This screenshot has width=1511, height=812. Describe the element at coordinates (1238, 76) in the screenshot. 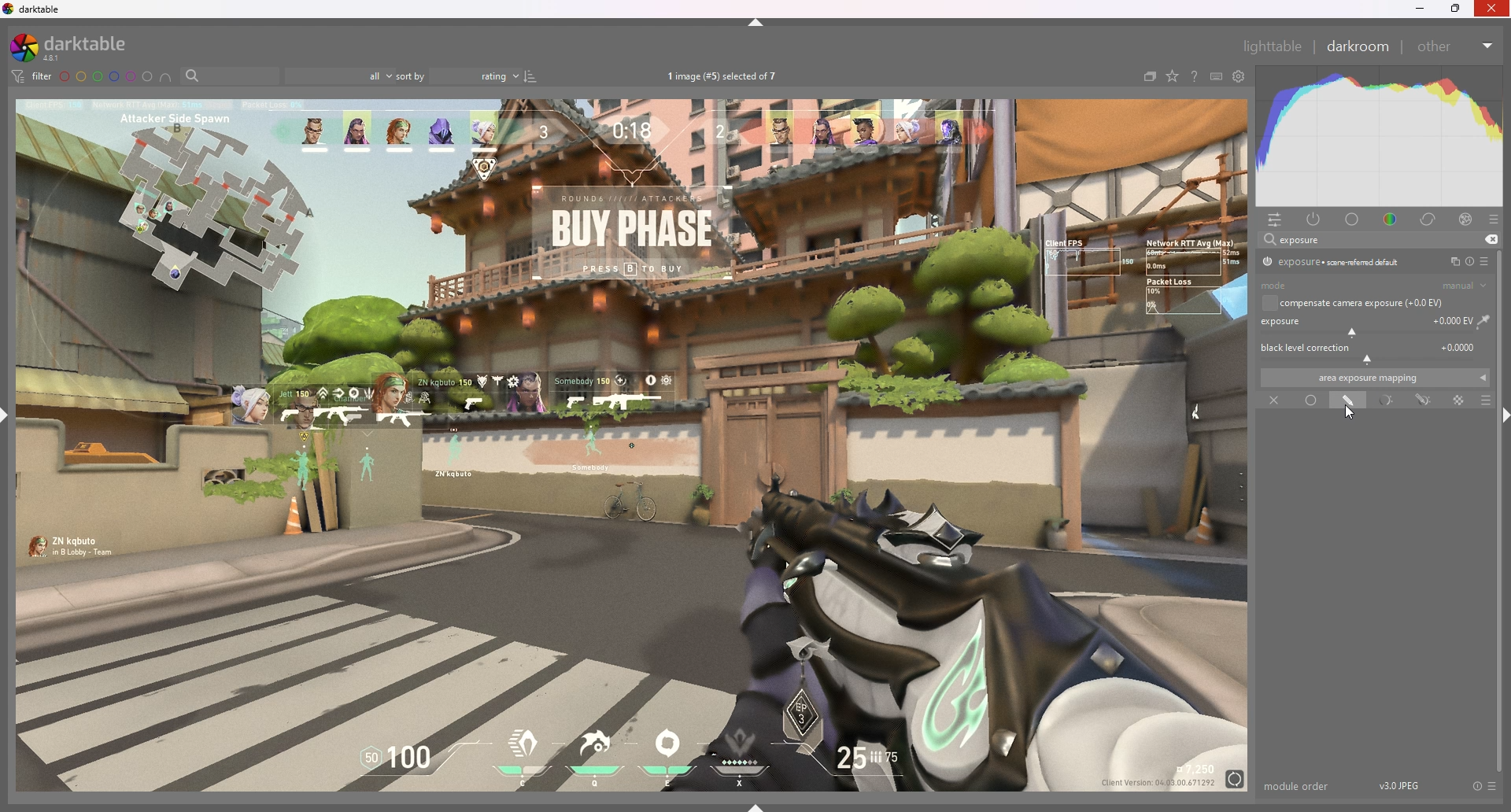

I see `show global preference` at that location.